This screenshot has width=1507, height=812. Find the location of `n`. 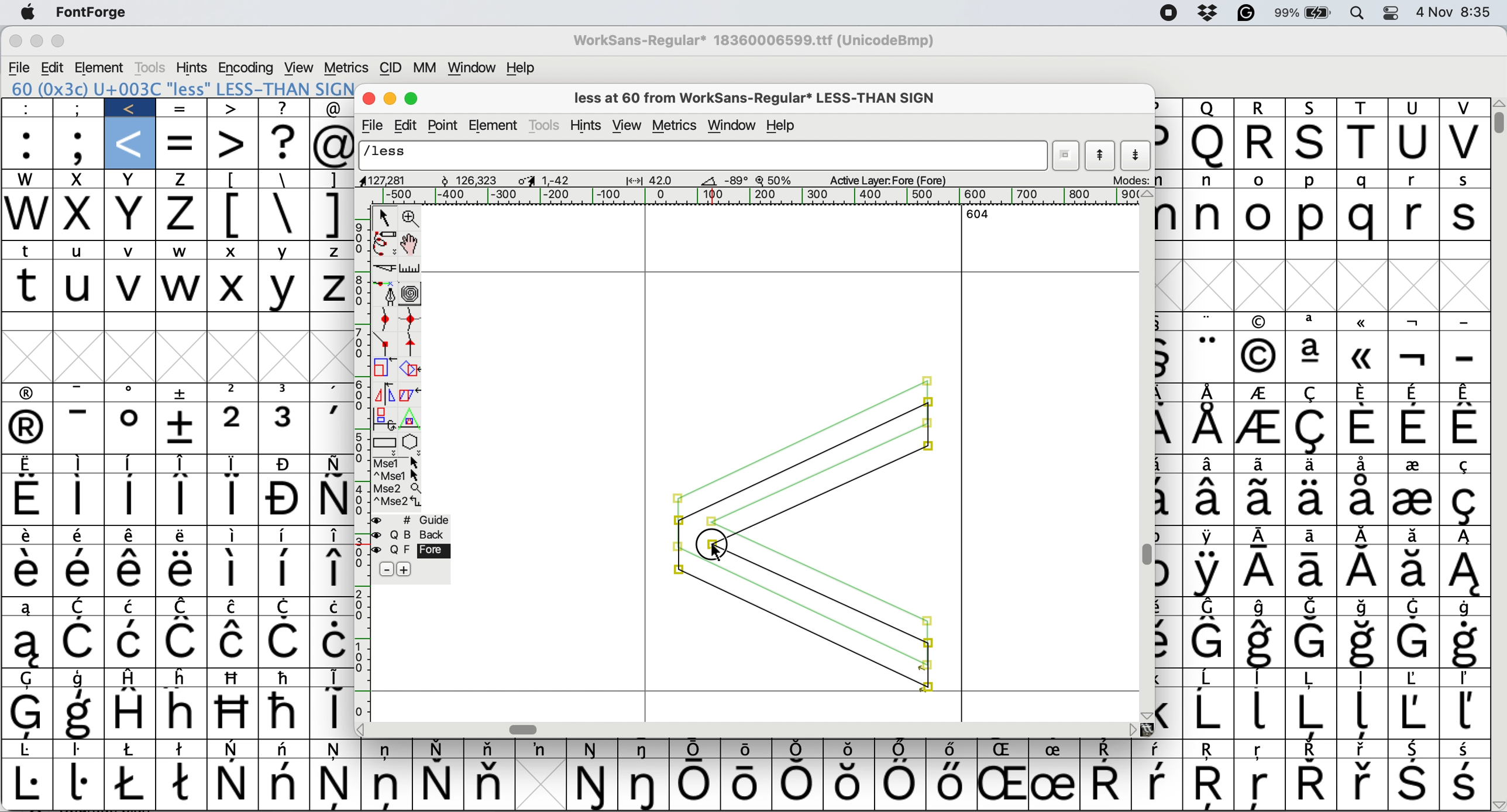

n is located at coordinates (1210, 215).